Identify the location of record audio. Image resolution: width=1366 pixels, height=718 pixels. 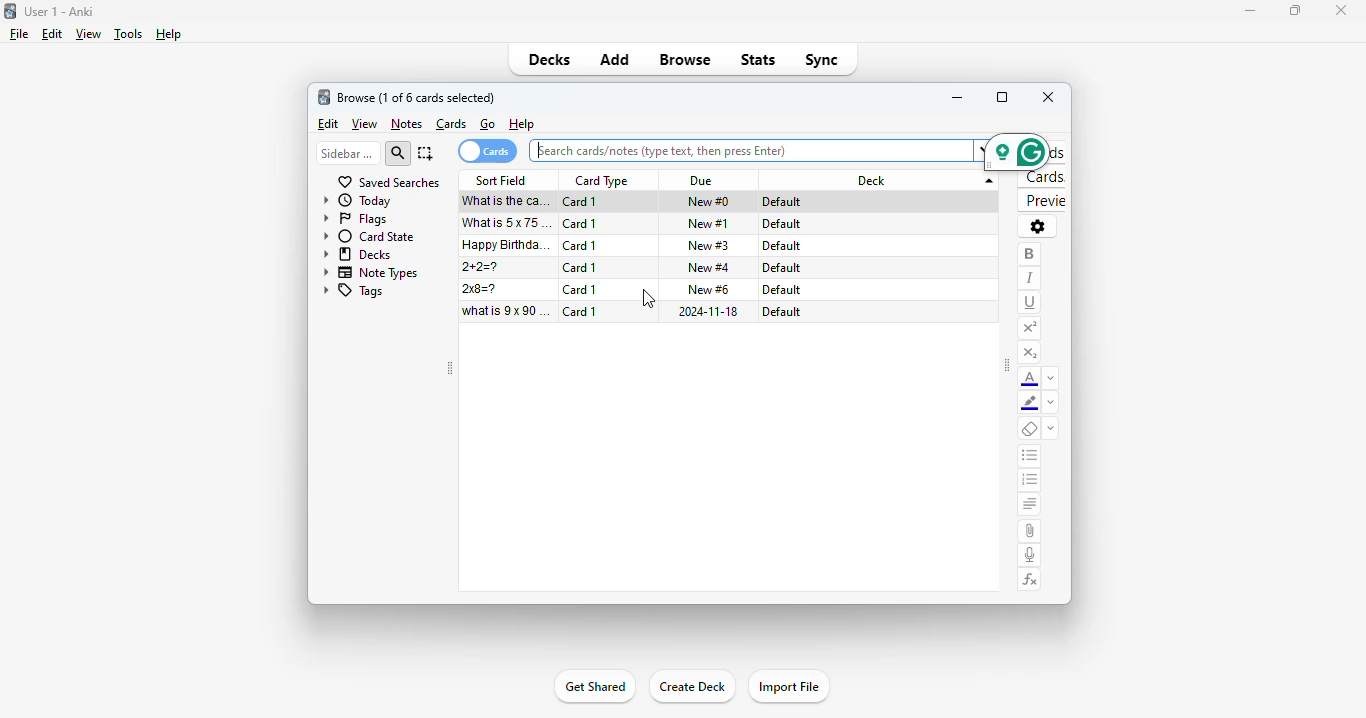
(1030, 555).